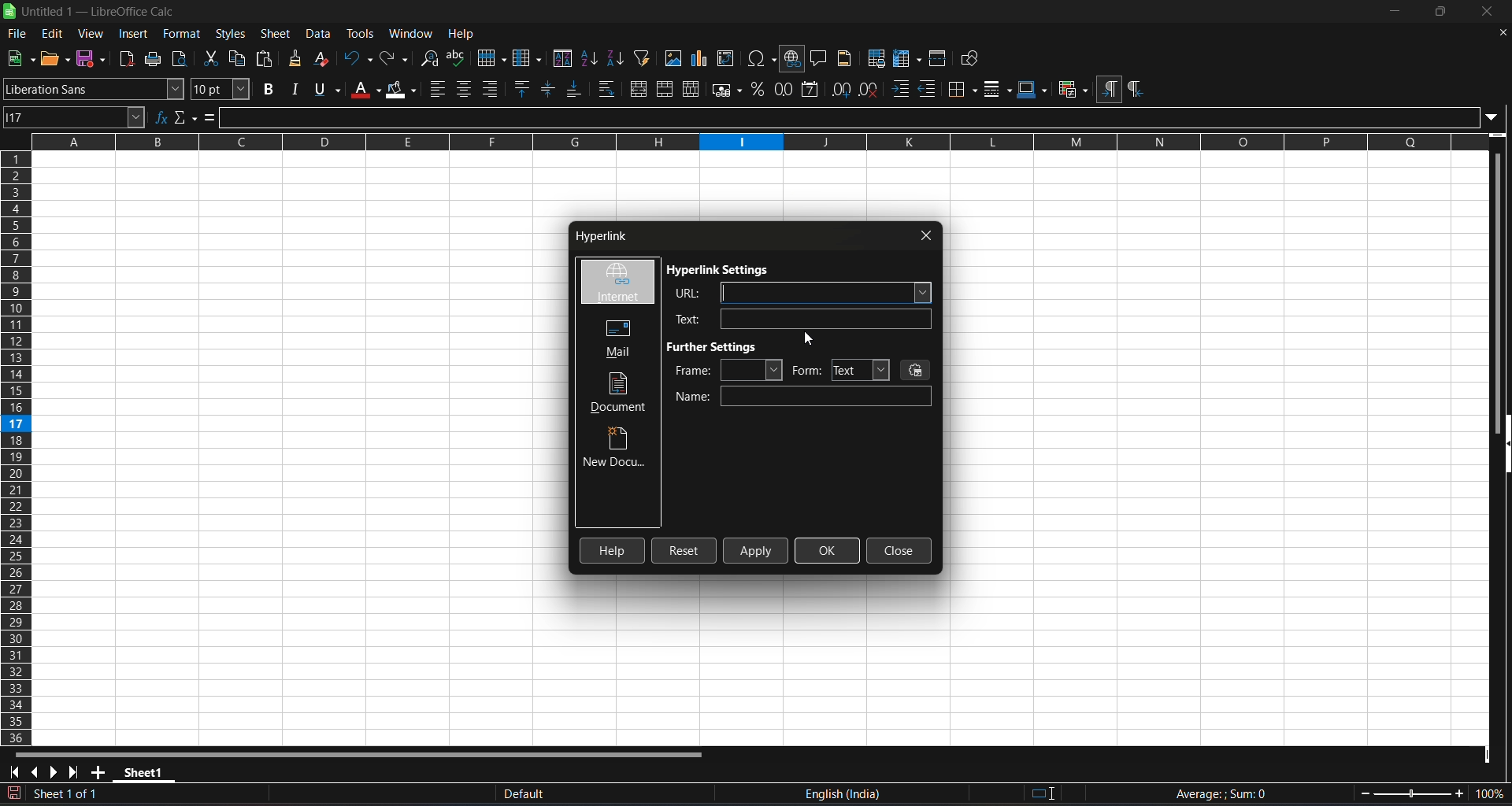  What do you see at coordinates (135, 34) in the screenshot?
I see `insert` at bounding box center [135, 34].